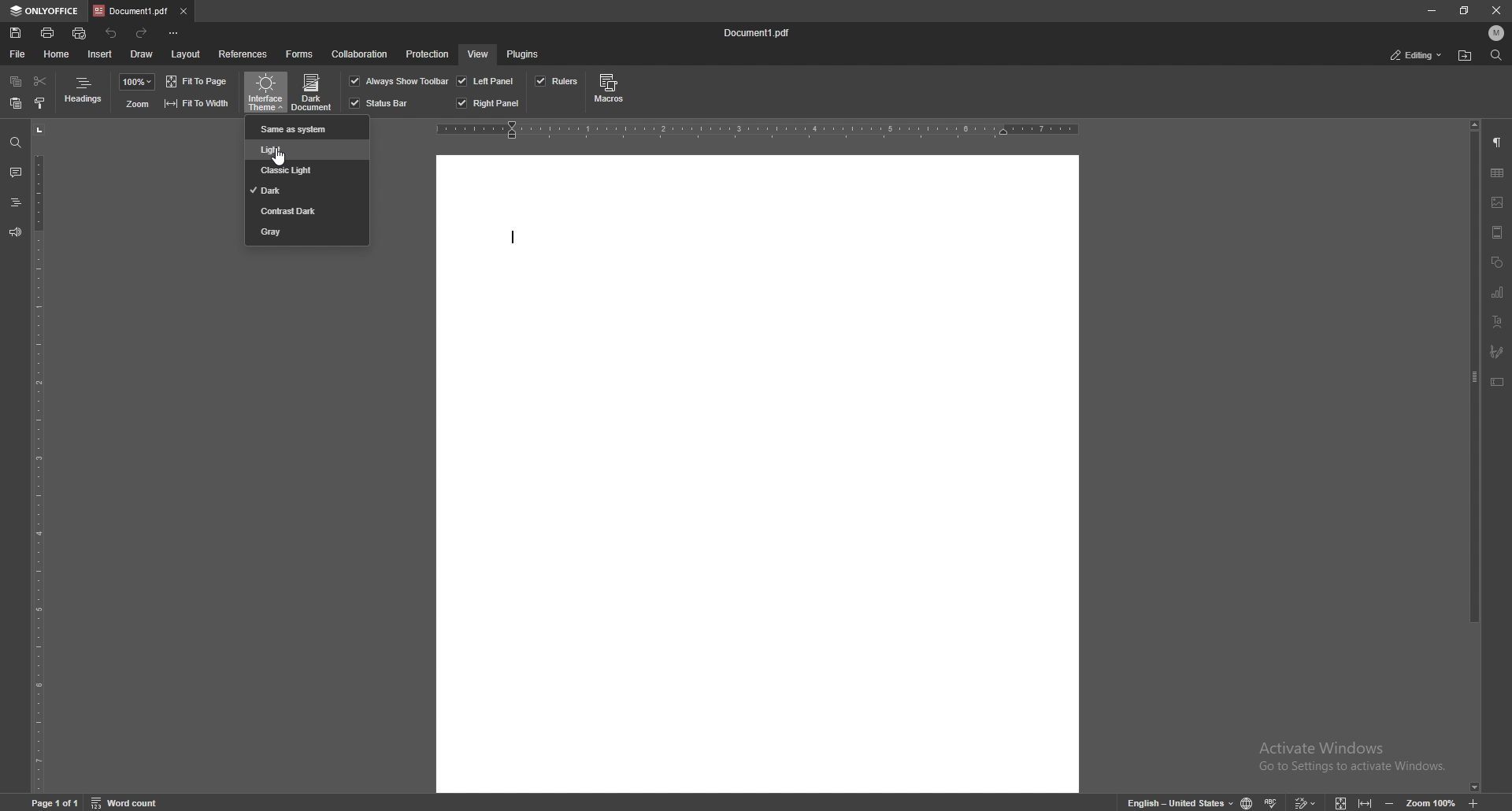  I want to click on forms, so click(300, 54).